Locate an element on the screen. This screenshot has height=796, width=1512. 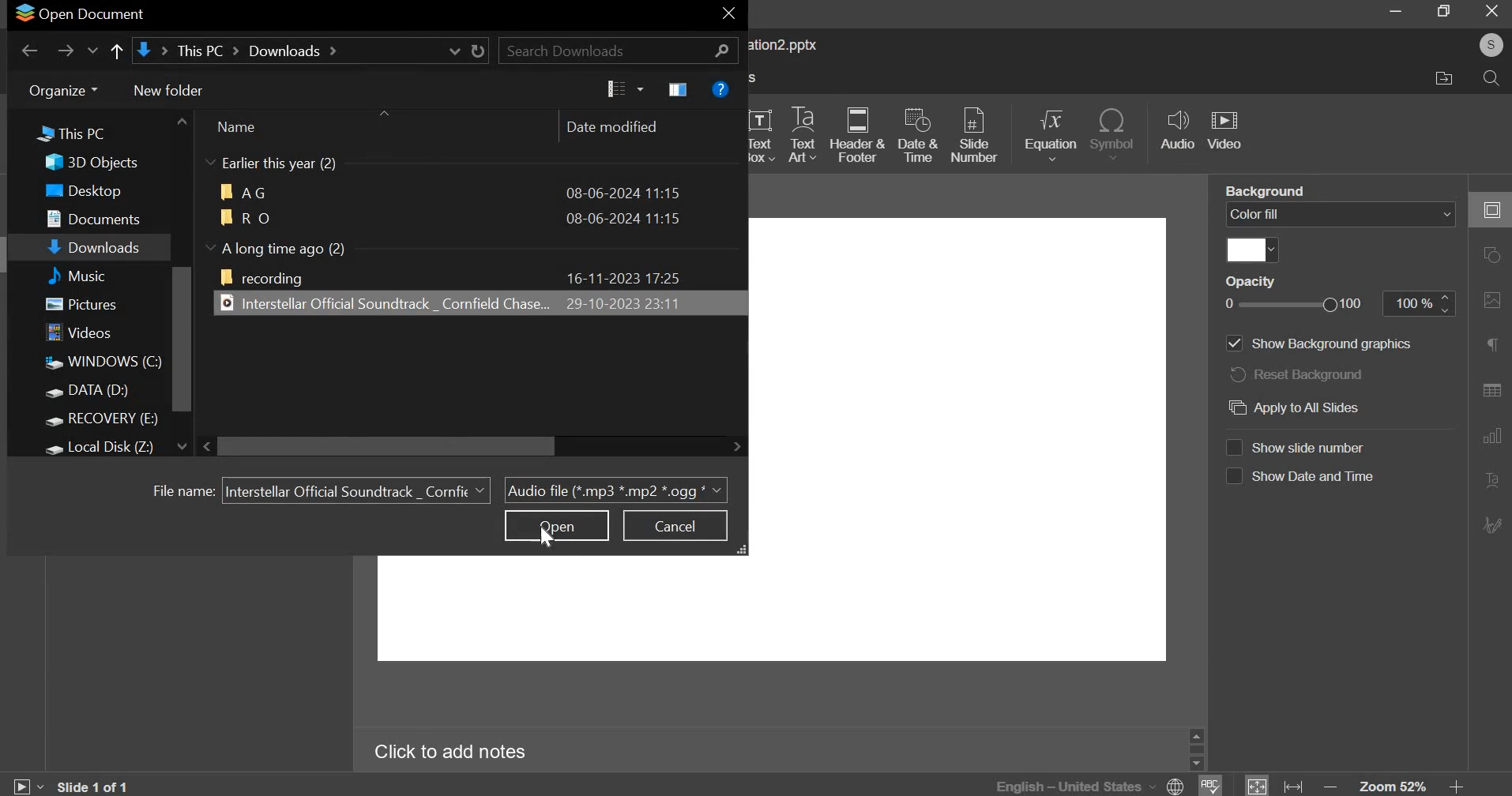
file name is located at coordinates (356, 489).